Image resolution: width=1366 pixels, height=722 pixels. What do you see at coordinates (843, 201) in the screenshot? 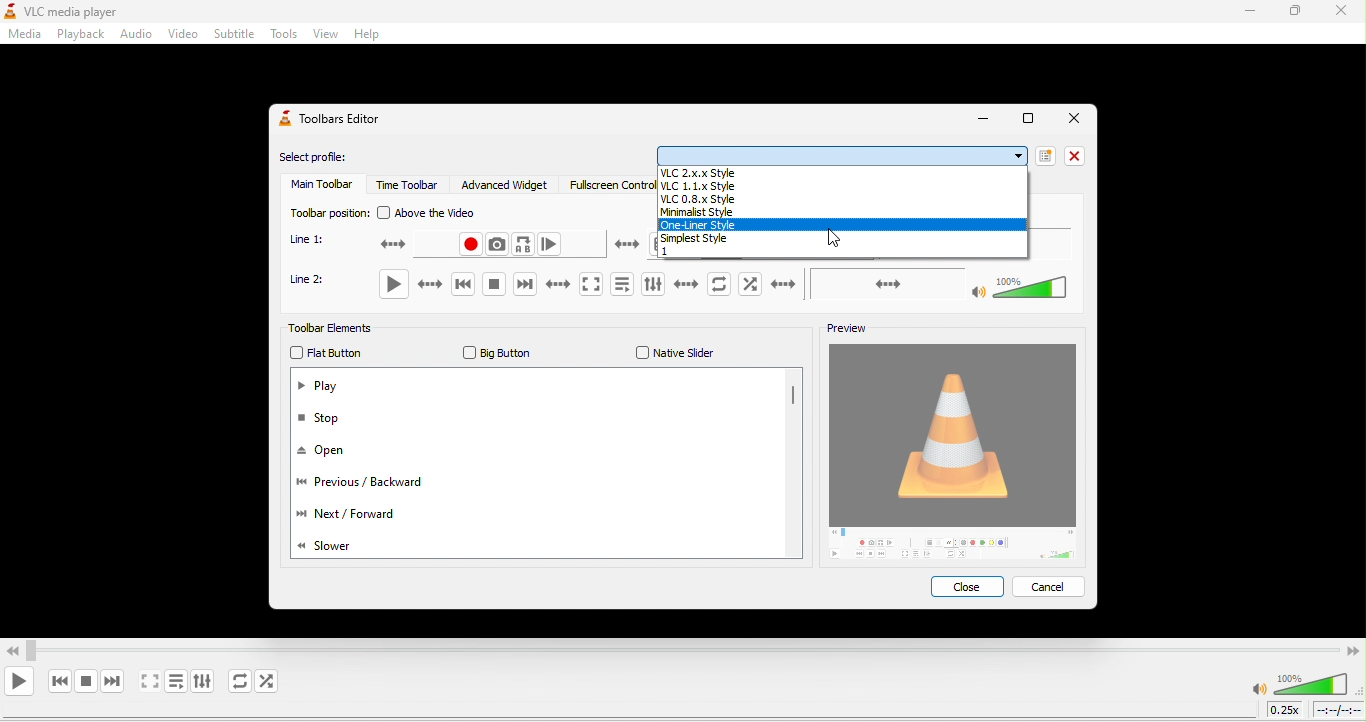
I see `vlc0.8*style` at bounding box center [843, 201].